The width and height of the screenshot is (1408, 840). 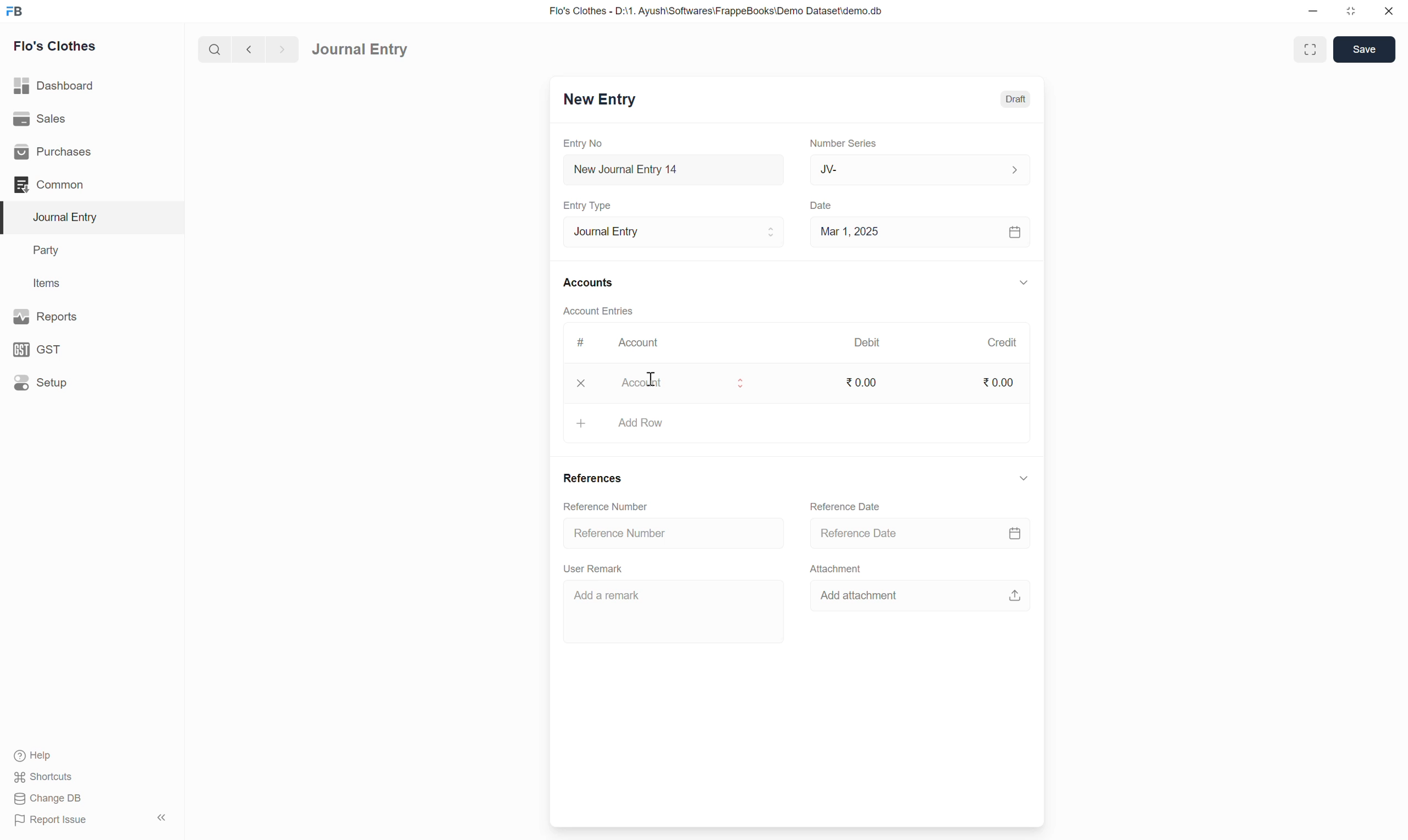 What do you see at coordinates (1365, 50) in the screenshot?
I see `Save` at bounding box center [1365, 50].